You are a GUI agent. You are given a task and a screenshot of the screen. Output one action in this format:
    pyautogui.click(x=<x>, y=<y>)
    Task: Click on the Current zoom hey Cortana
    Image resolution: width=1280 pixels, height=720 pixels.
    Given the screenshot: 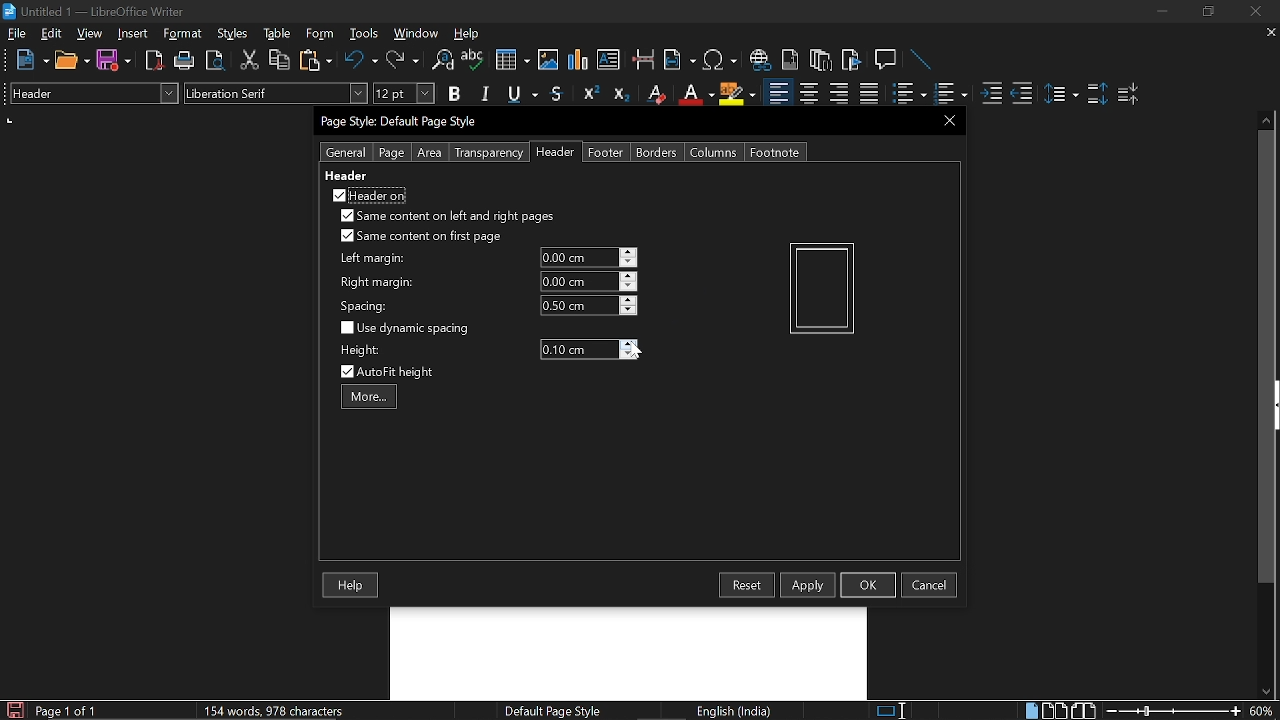 What is the action you would take?
    pyautogui.click(x=1261, y=710)
    